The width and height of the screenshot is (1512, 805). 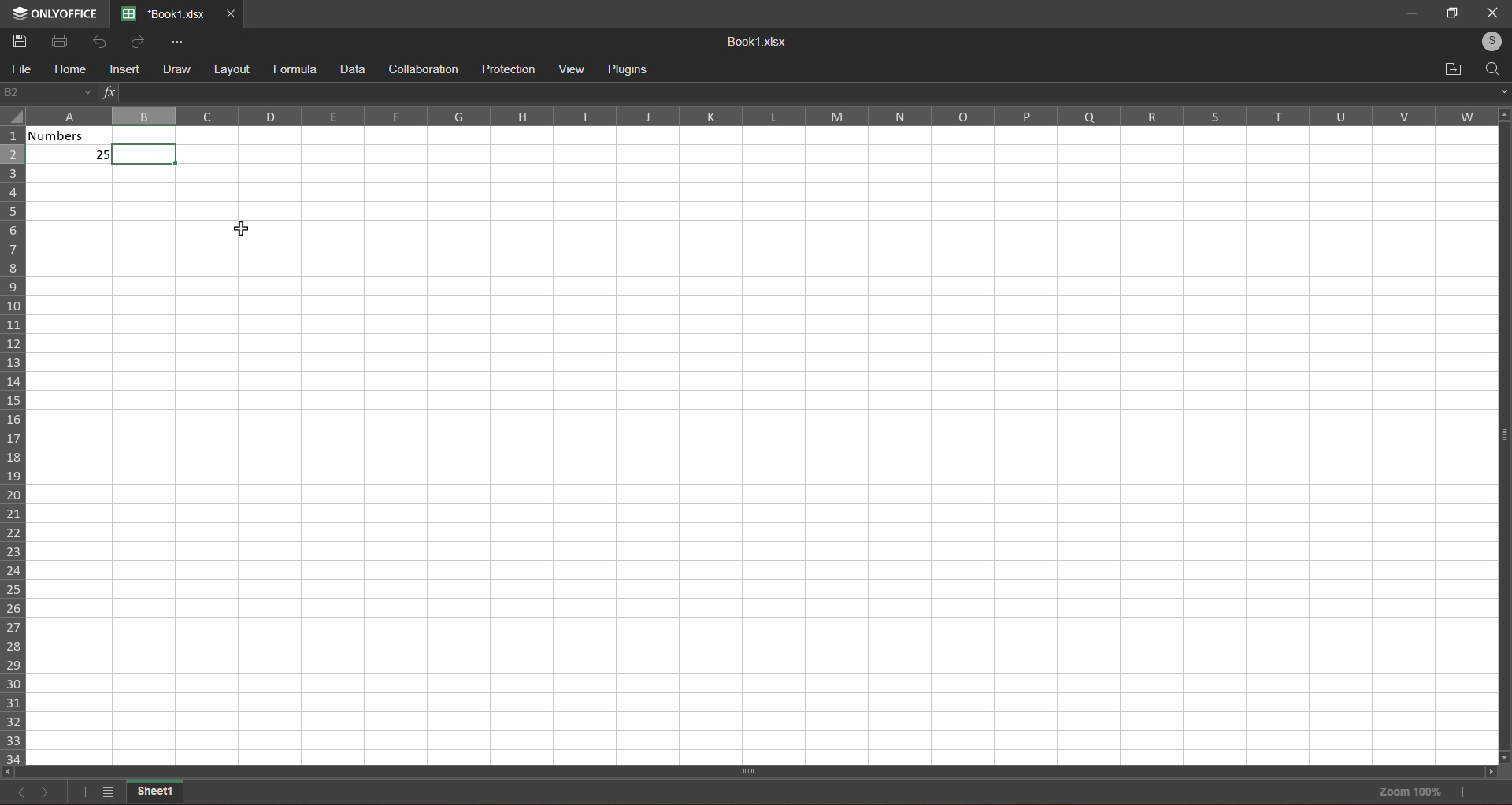 What do you see at coordinates (135, 42) in the screenshot?
I see `redo` at bounding box center [135, 42].